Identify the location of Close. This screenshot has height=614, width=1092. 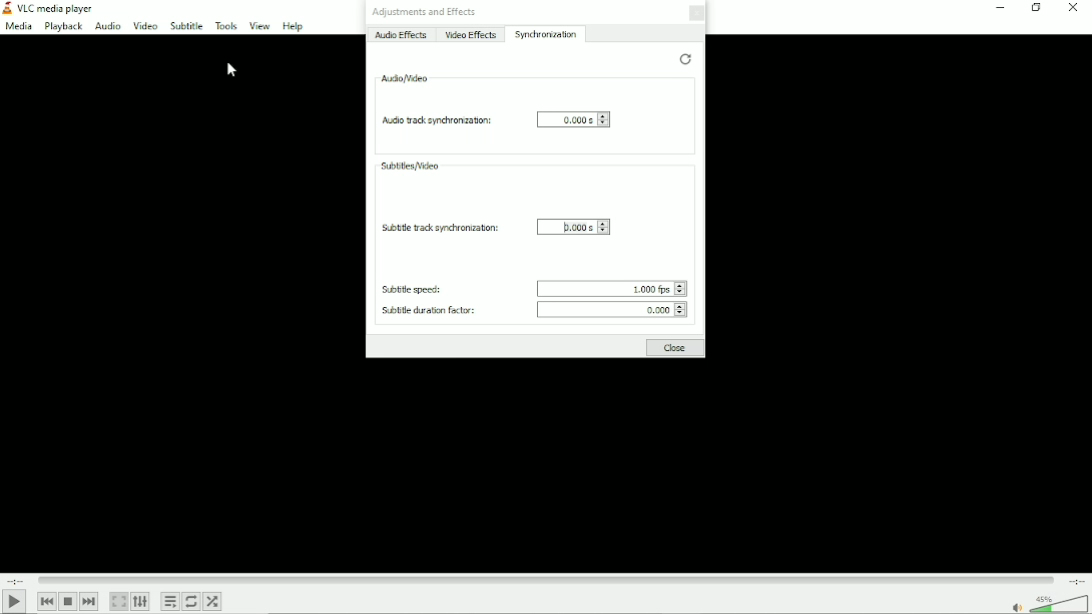
(697, 14).